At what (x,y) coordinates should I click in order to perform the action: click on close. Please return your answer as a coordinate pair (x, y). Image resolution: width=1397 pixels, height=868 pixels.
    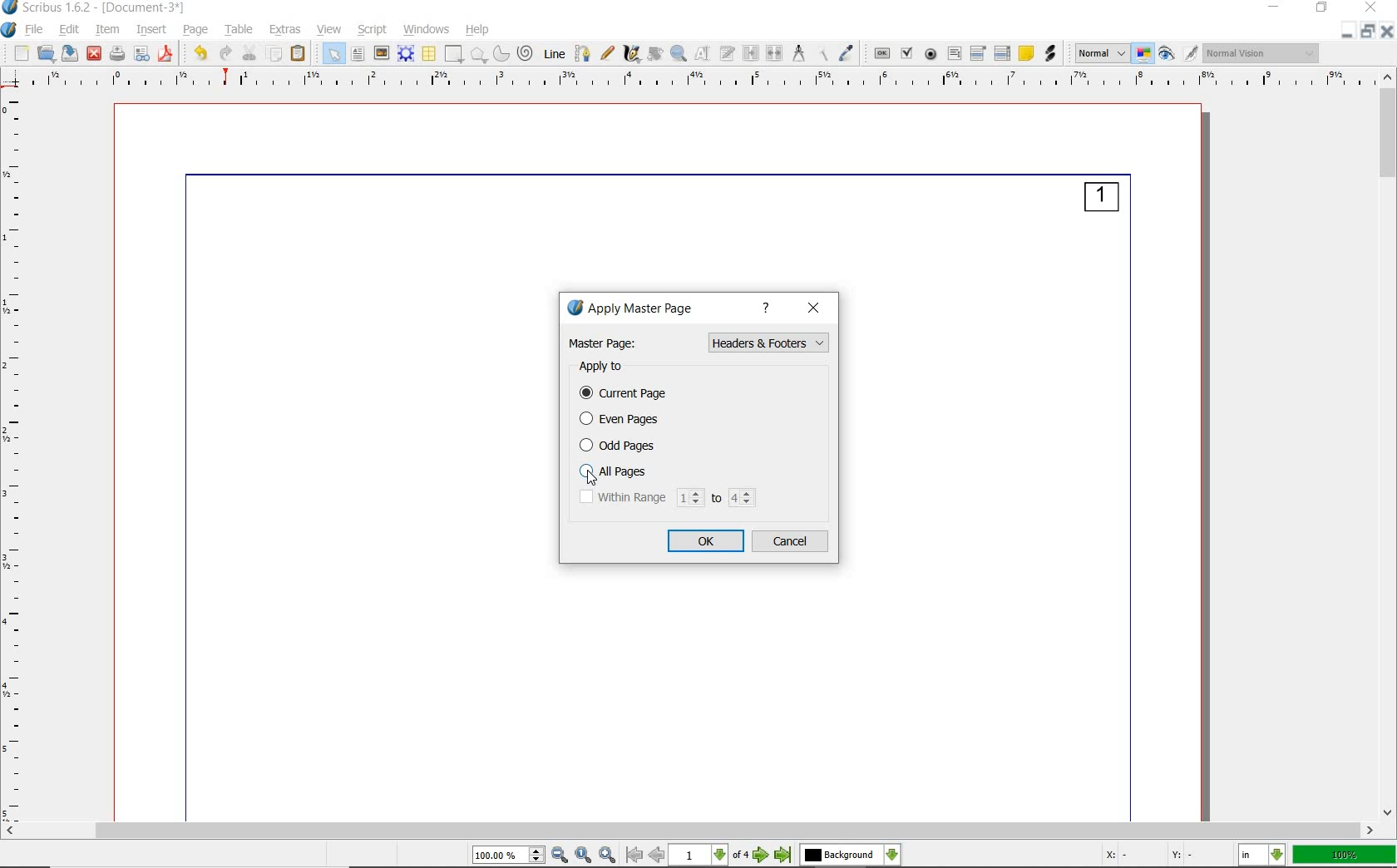
    Looking at the image, I should click on (814, 309).